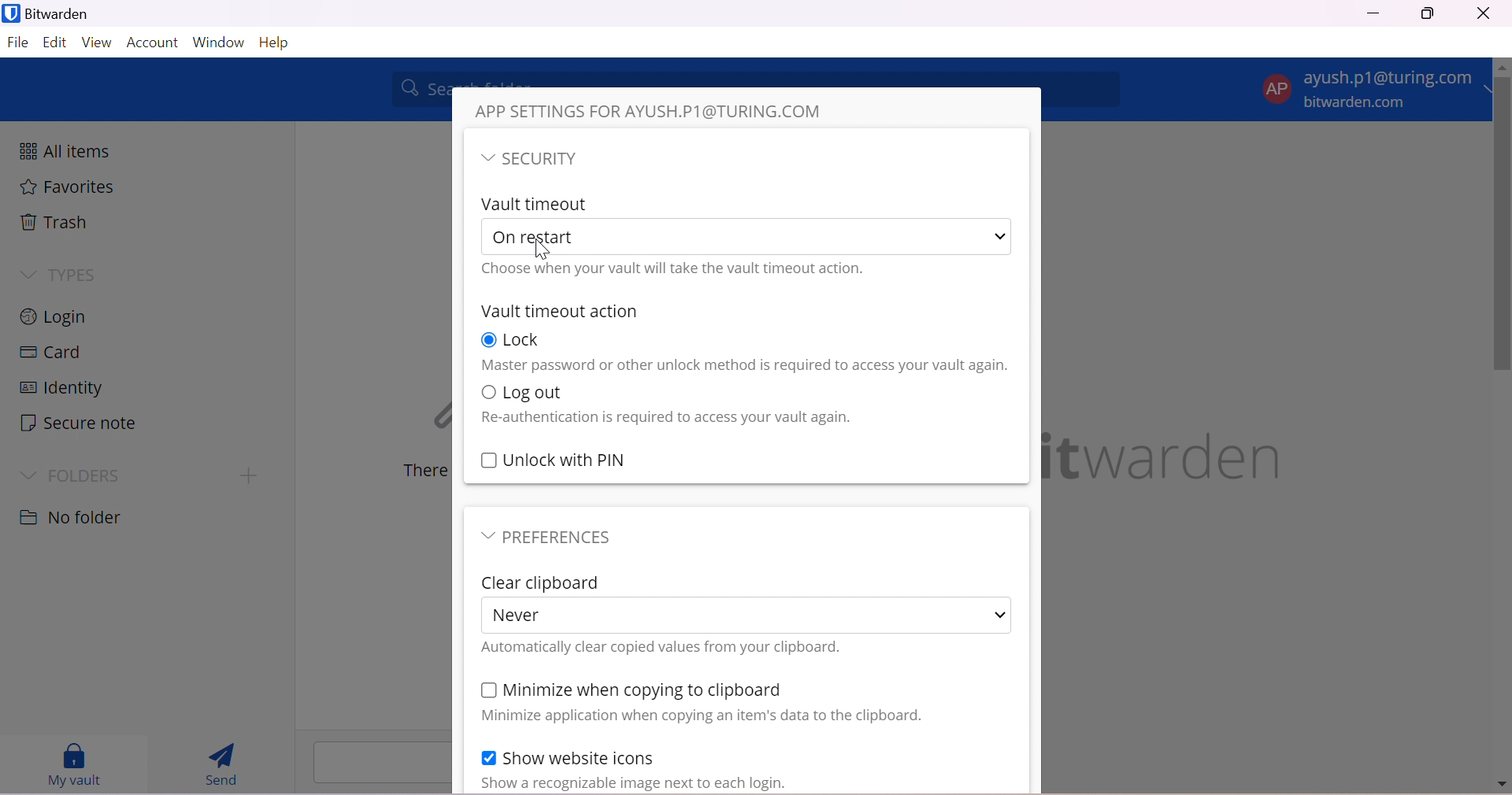 The image size is (1512, 795). I want to click on move up, so click(1503, 68).